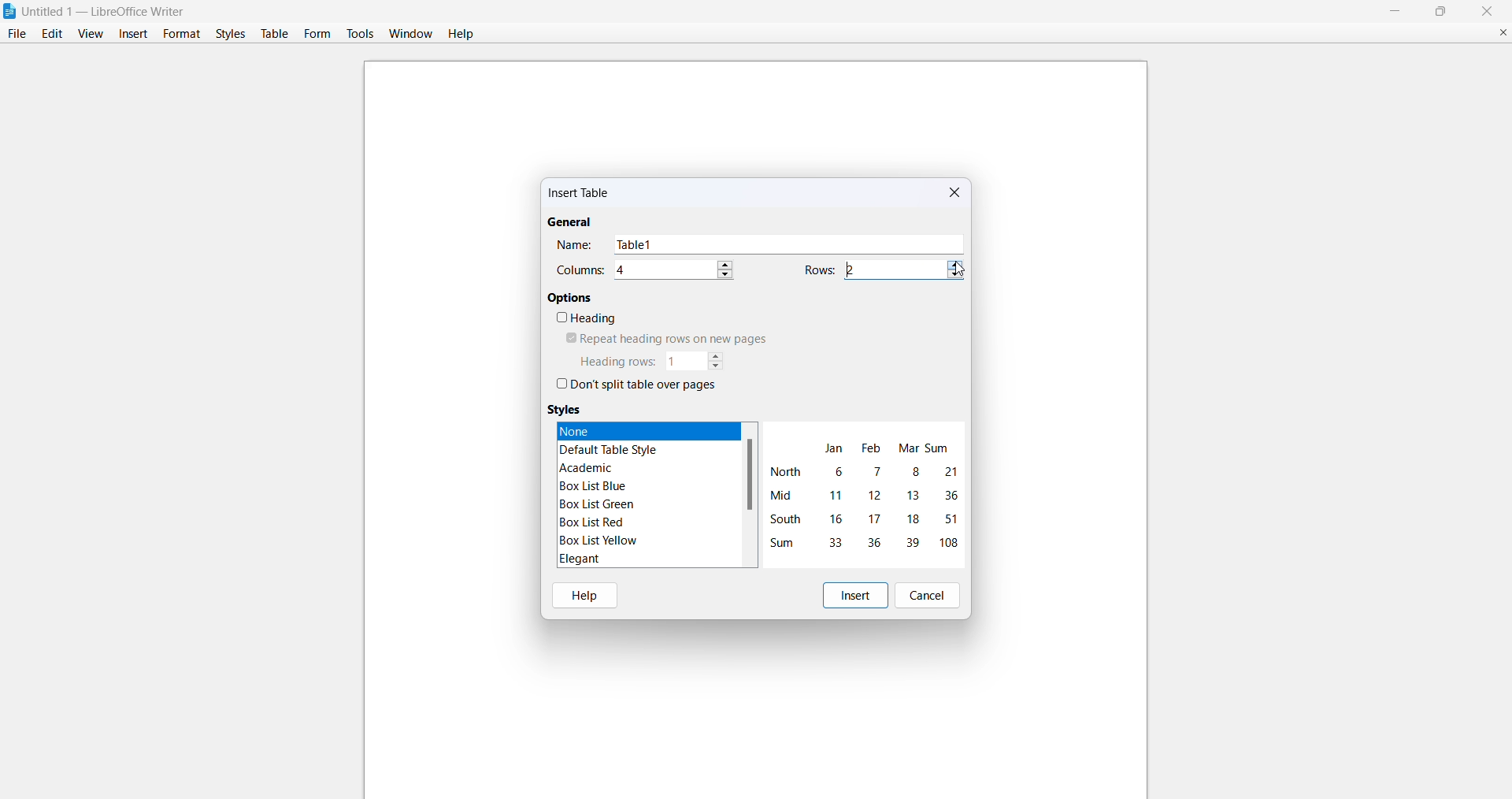 Image resolution: width=1512 pixels, height=799 pixels. What do you see at coordinates (569, 223) in the screenshot?
I see `general` at bounding box center [569, 223].